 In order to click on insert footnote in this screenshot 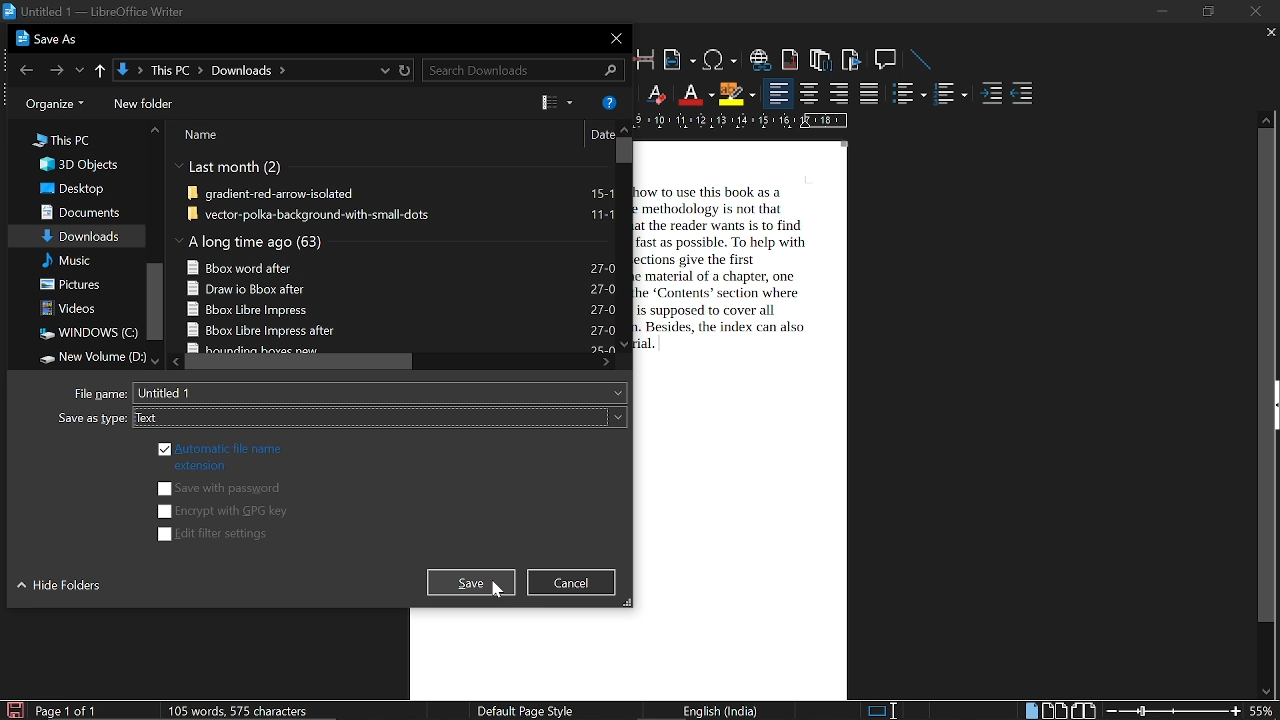, I will do `click(791, 59)`.